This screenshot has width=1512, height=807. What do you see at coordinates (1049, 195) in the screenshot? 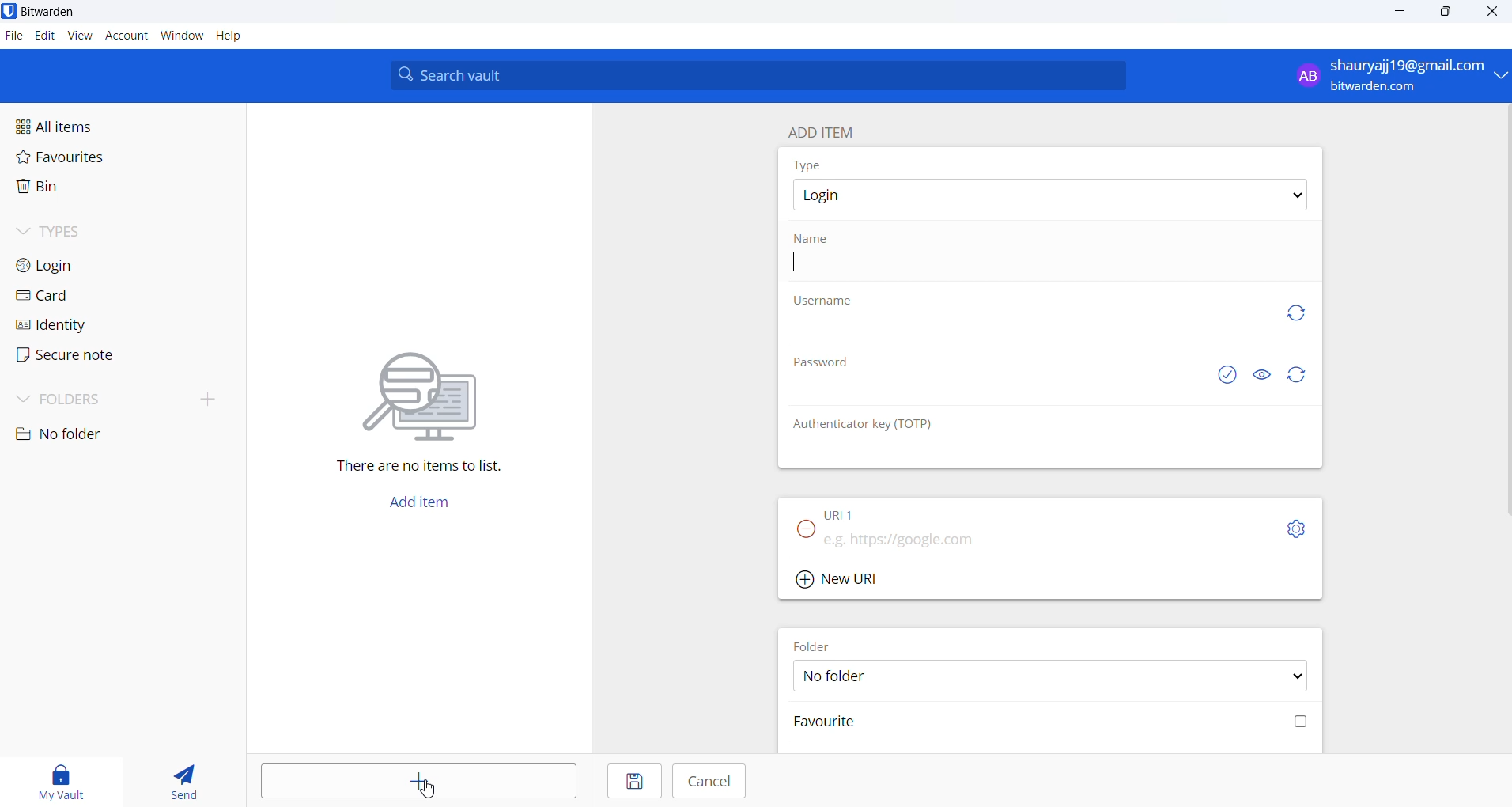
I see `Item type options dropdown` at bounding box center [1049, 195].